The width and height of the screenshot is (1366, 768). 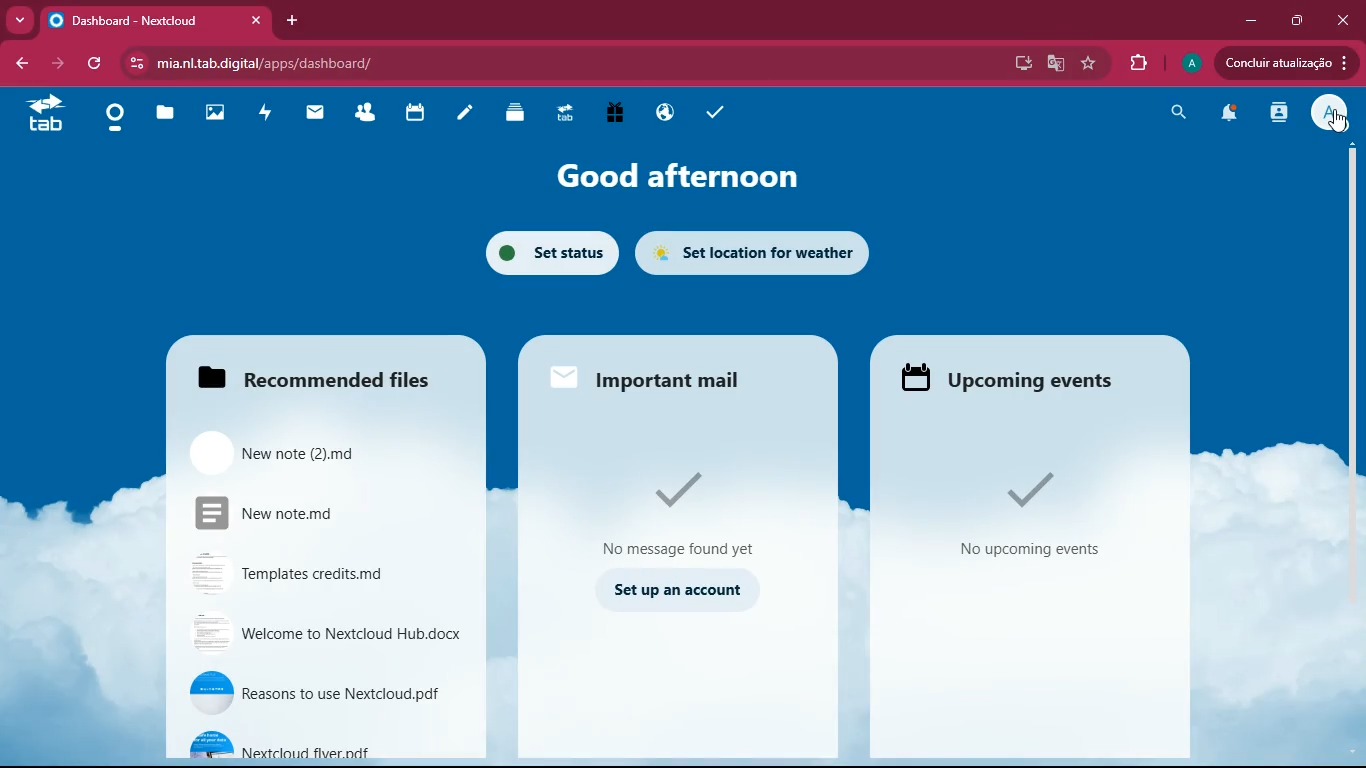 What do you see at coordinates (1281, 115) in the screenshot?
I see `activity` at bounding box center [1281, 115].